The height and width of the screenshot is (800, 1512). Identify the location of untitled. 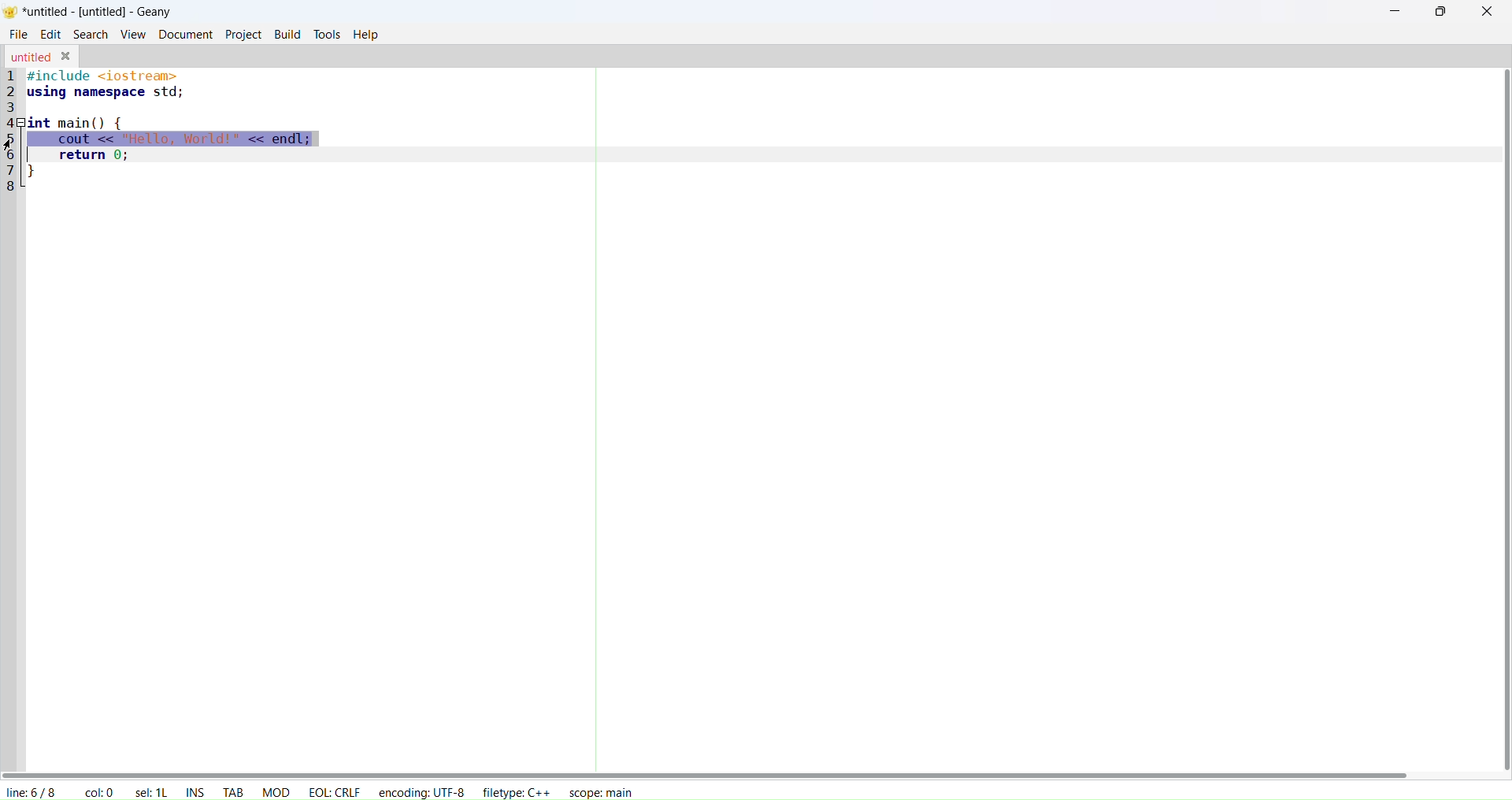
(30, 57).